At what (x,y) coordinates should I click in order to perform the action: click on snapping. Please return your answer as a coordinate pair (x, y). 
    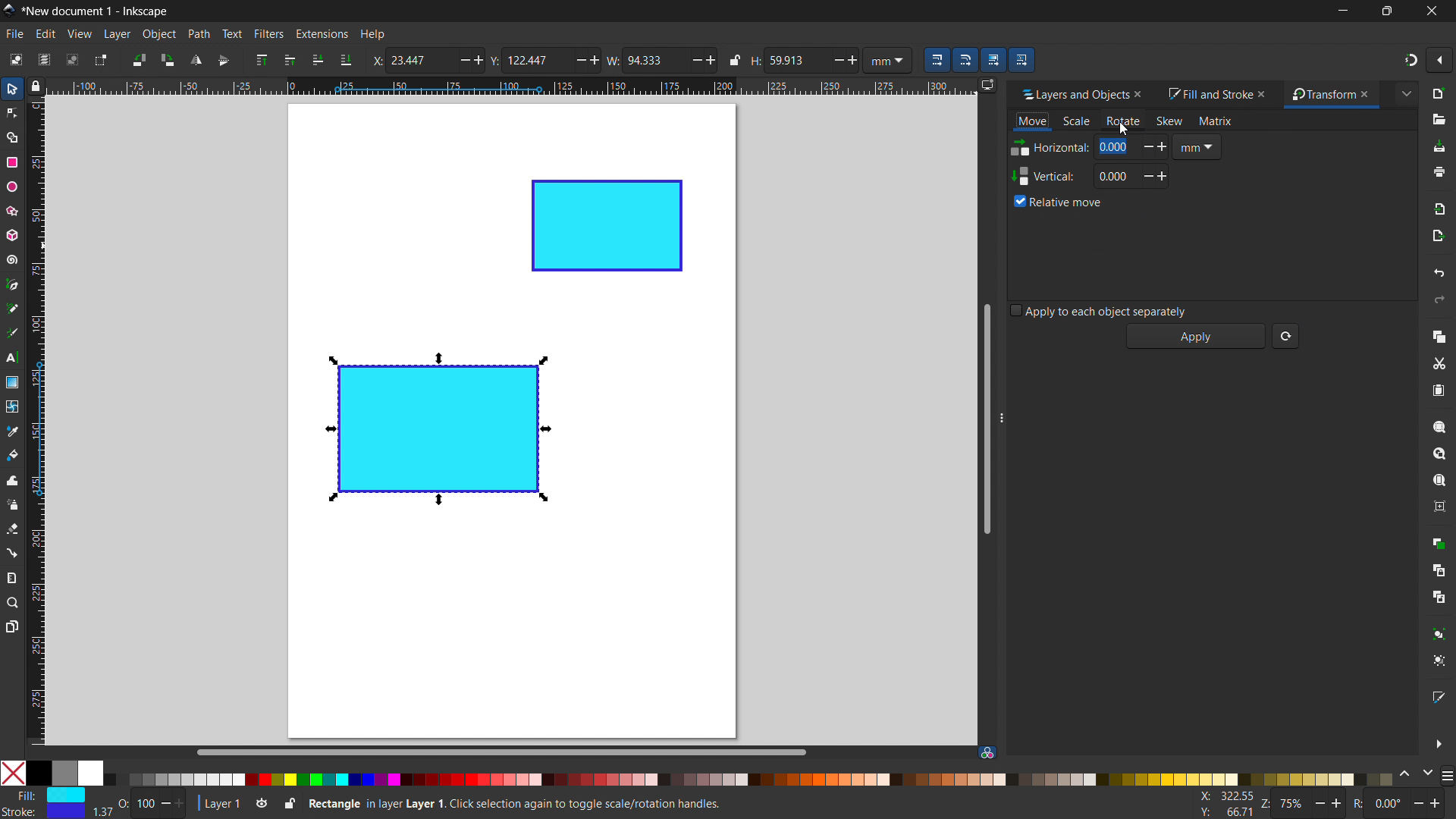
    Looking at the image, I should click on (1411, 60).